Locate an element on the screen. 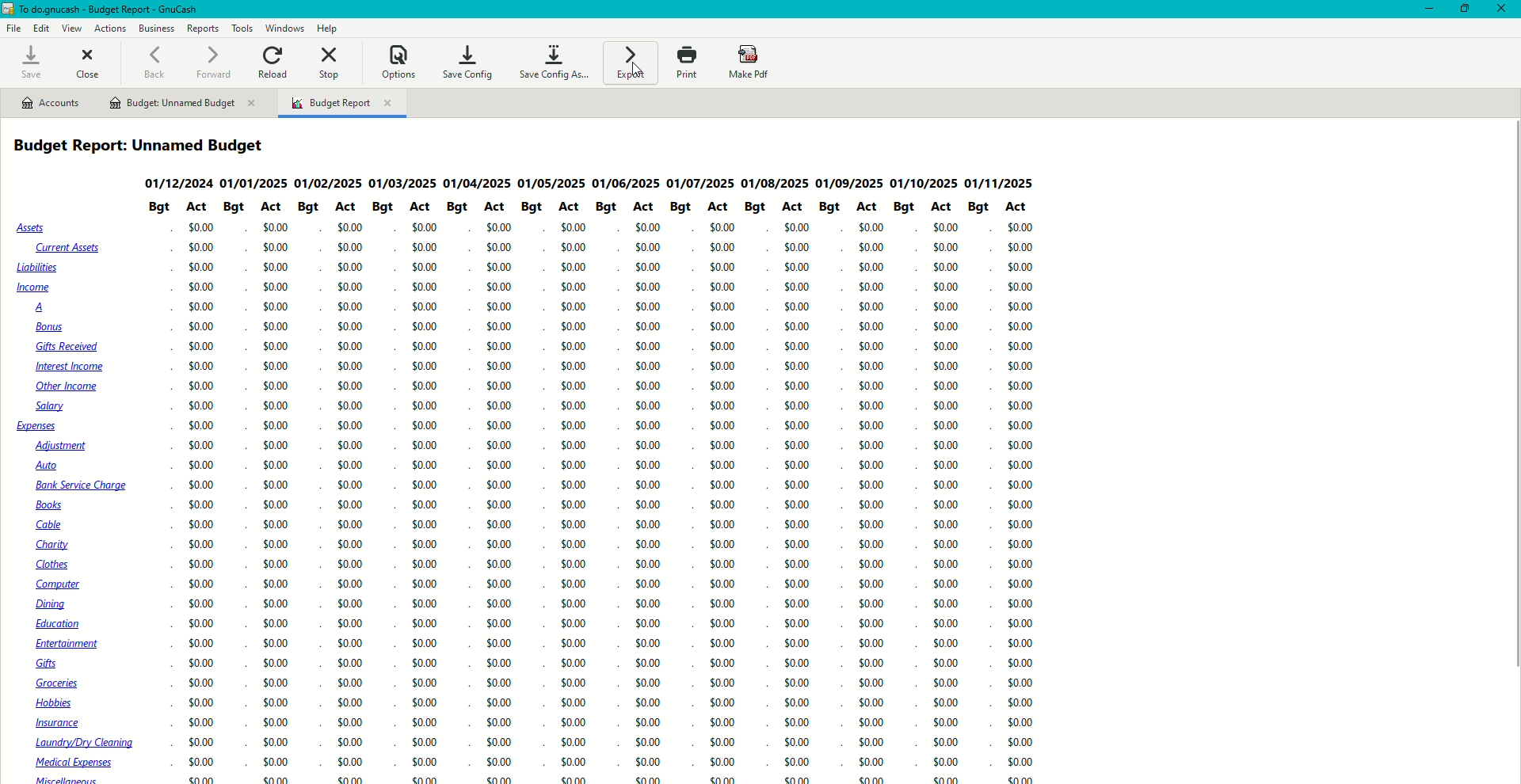  $0.00 is located at coordinates (650, 561).